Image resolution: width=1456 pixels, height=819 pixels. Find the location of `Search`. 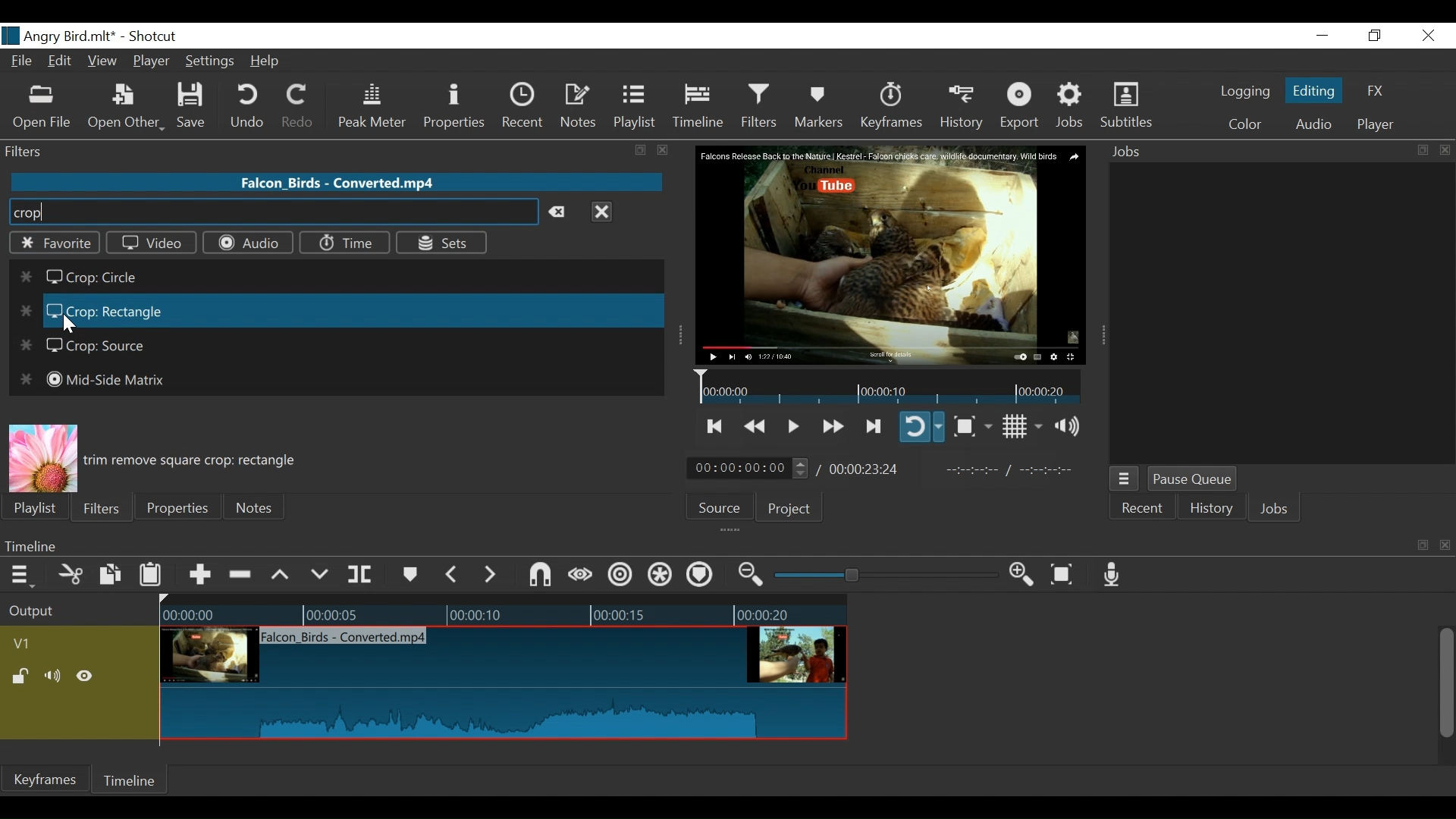

Search is located at coordinates (272, 212).